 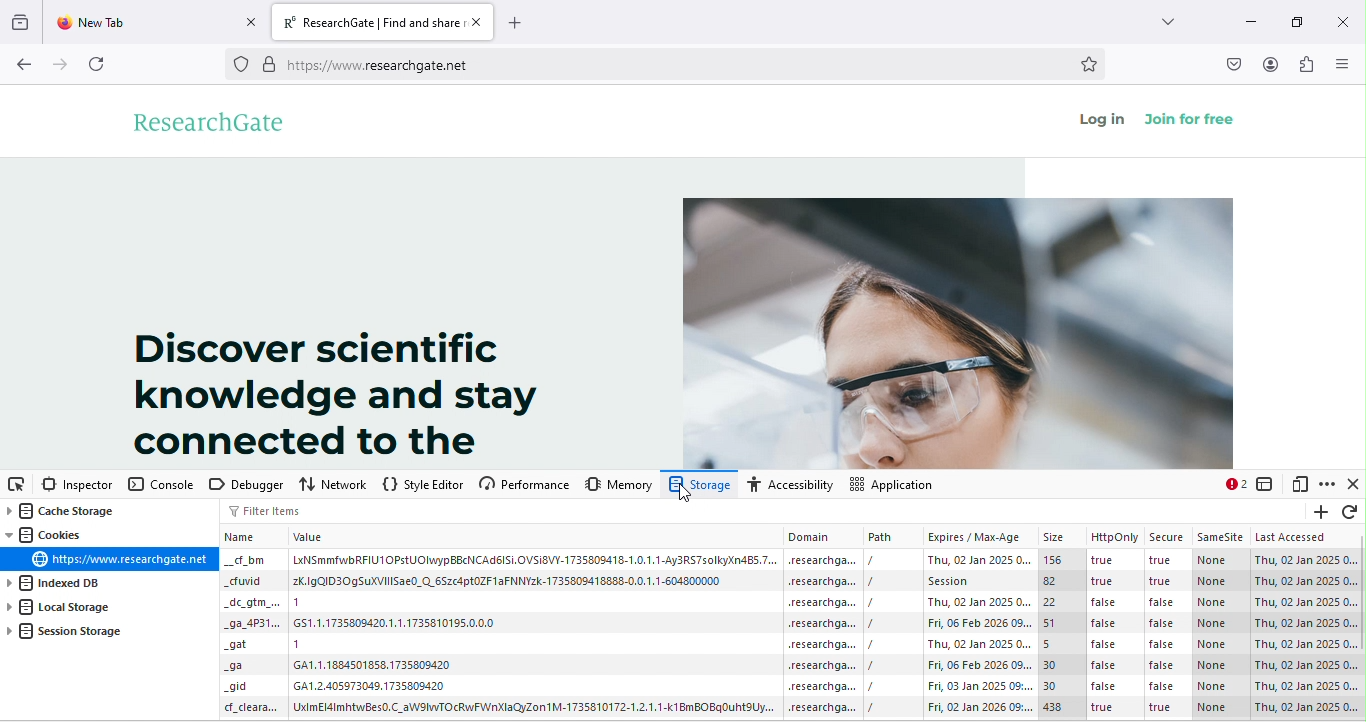 What do you see at coordinates (372, 666) in the screenshot?
I see `value` at bounding box center [372, 666].